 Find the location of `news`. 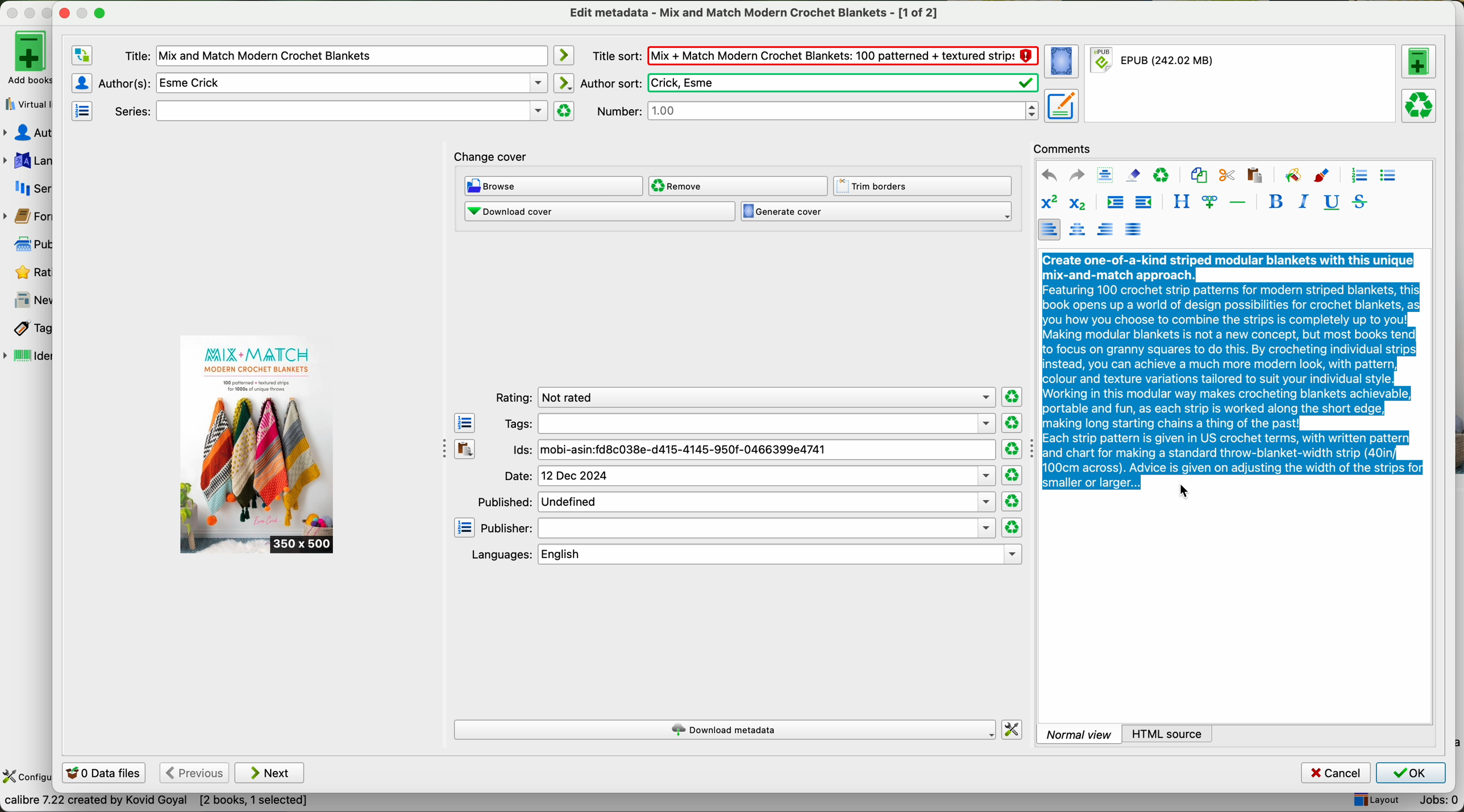

news is located at coordinates (28, 301).